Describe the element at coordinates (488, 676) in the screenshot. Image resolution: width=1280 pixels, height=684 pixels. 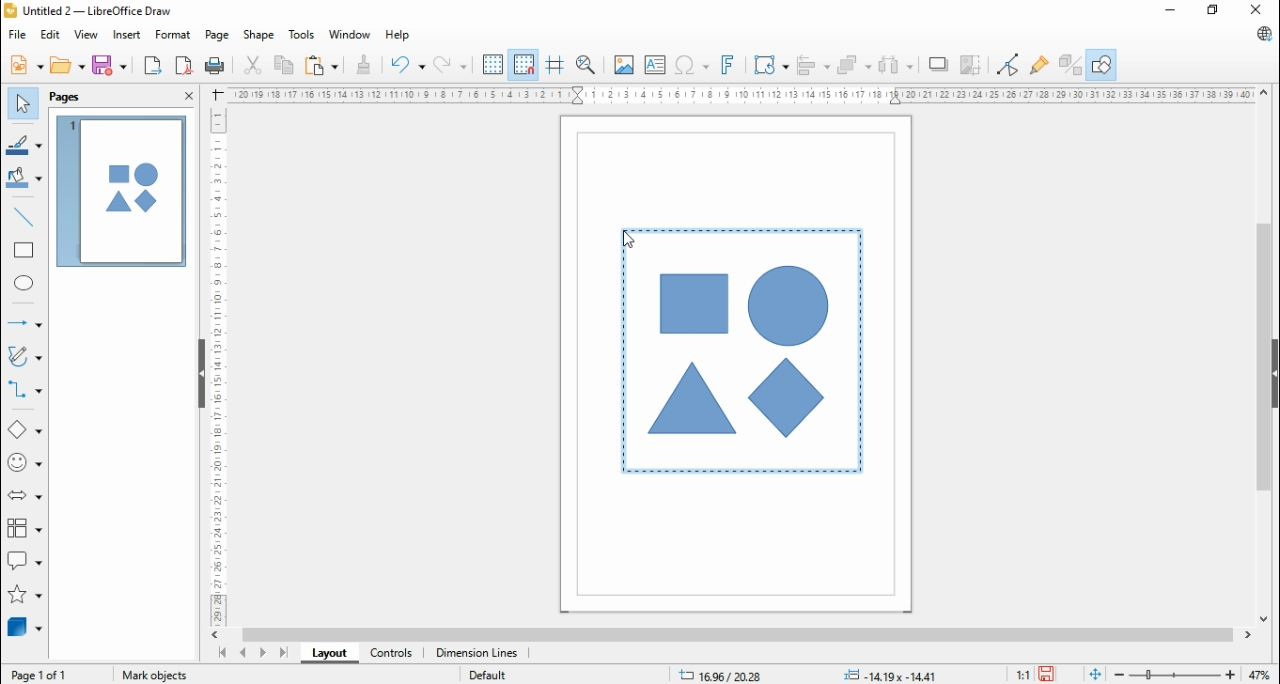
I see `default` at that location.